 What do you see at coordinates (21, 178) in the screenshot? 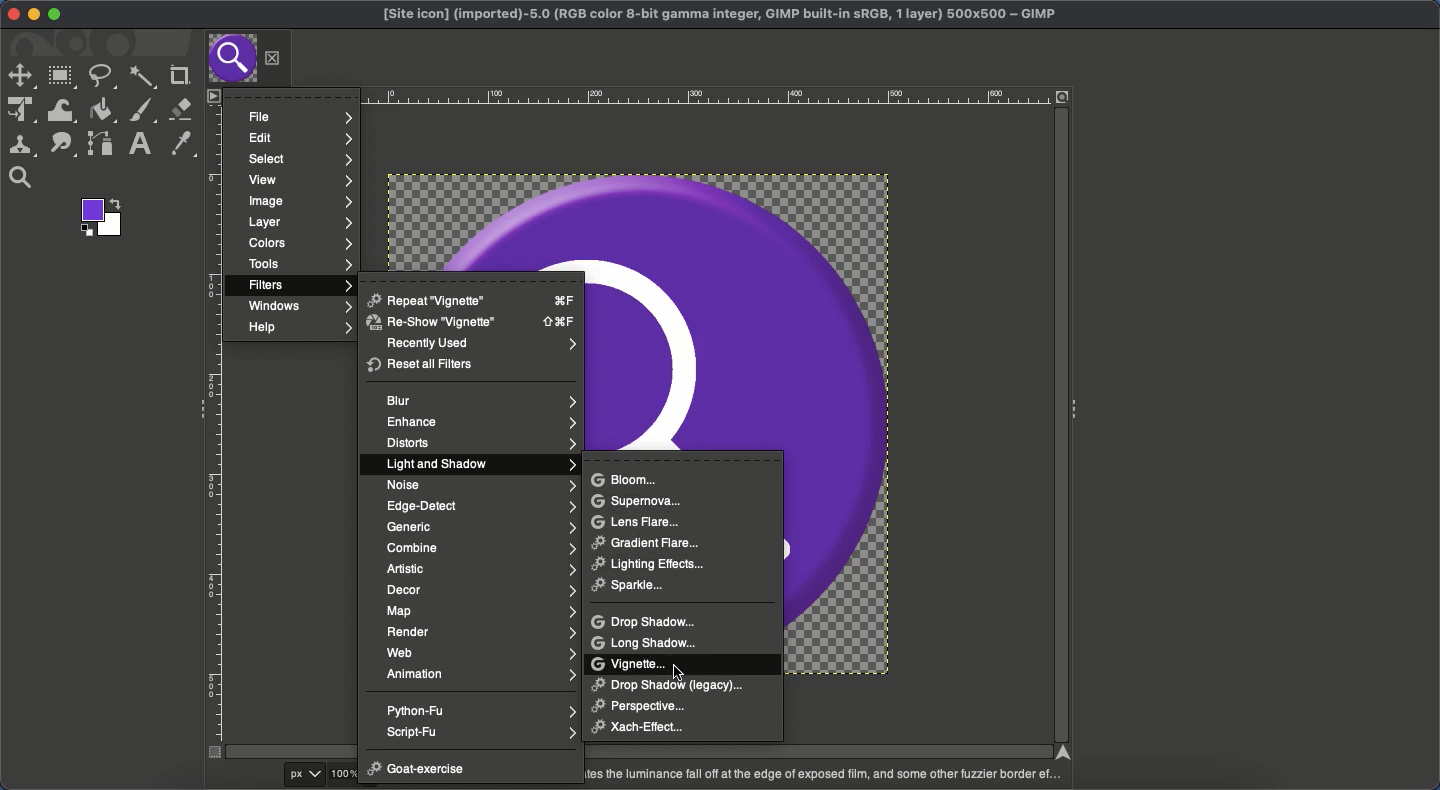
I see `Magnify` at bounding box center [21, 178].